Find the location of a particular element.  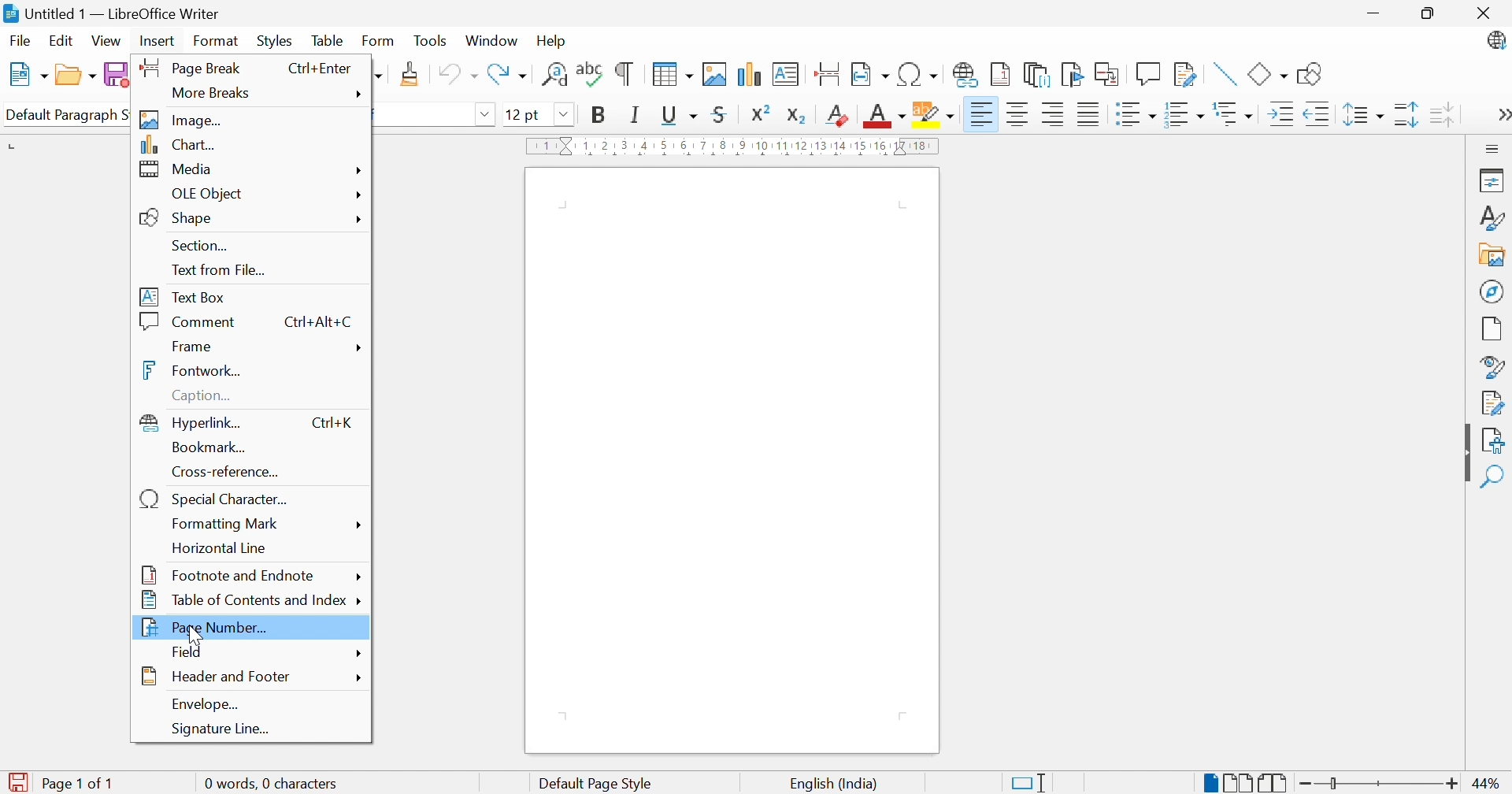

More is located at coordinates (358, 217).